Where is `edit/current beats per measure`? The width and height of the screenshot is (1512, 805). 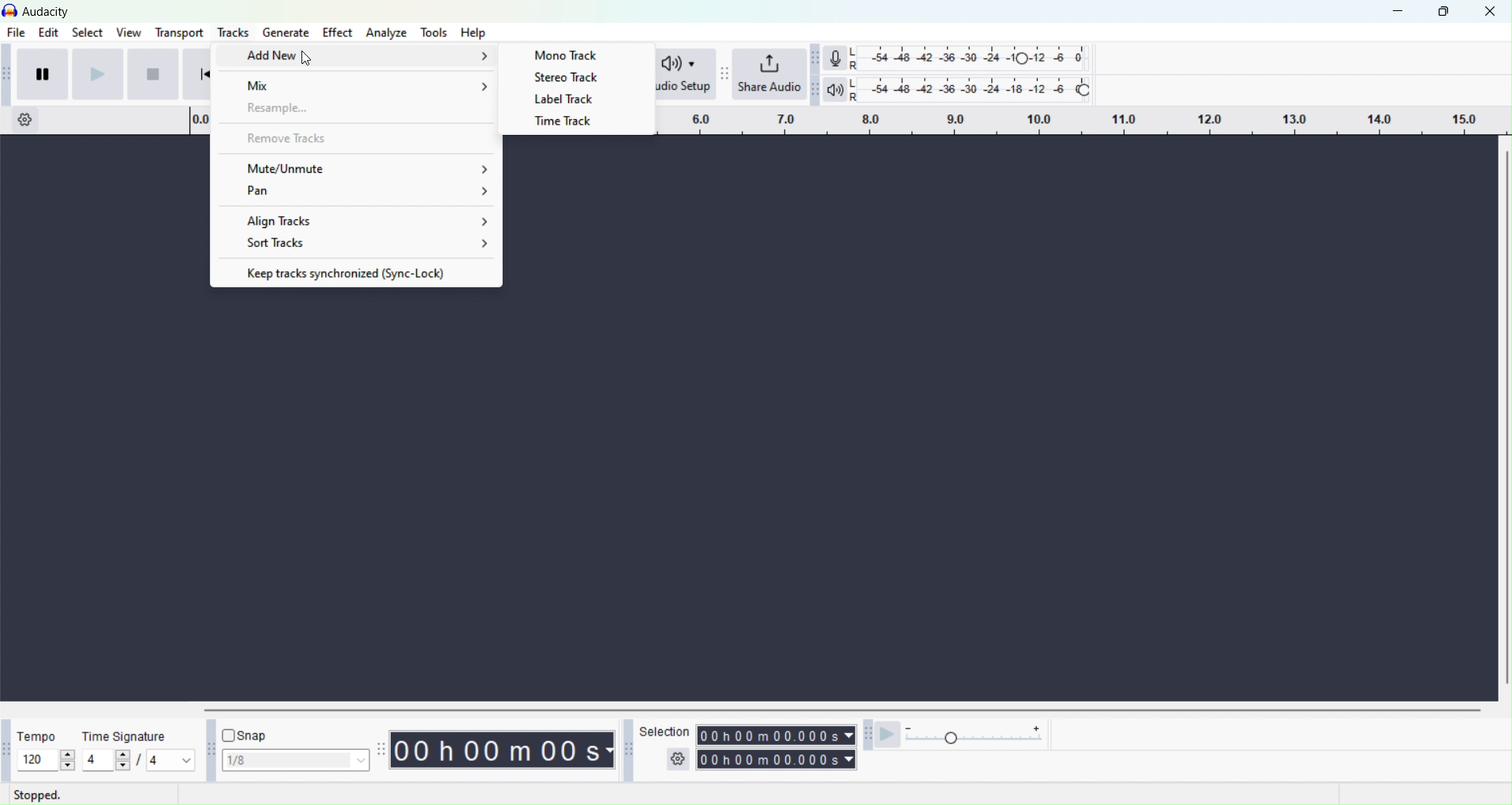 edit/current beats per measure is located at coordinates (95, 759).